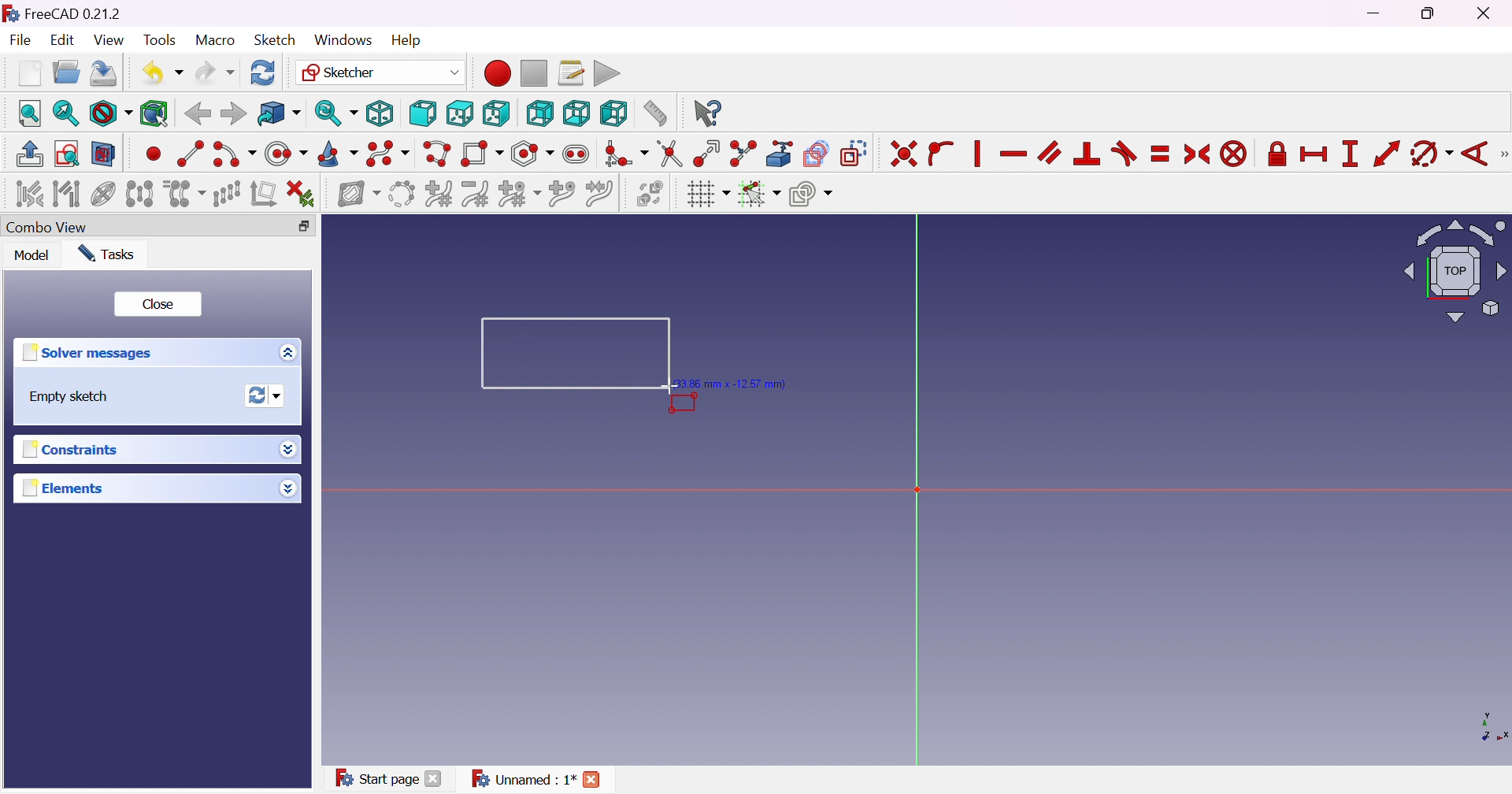 The width and height of the screenshot is (1512, 794). I want to click on Remove axis alignment, so click(262, 193).